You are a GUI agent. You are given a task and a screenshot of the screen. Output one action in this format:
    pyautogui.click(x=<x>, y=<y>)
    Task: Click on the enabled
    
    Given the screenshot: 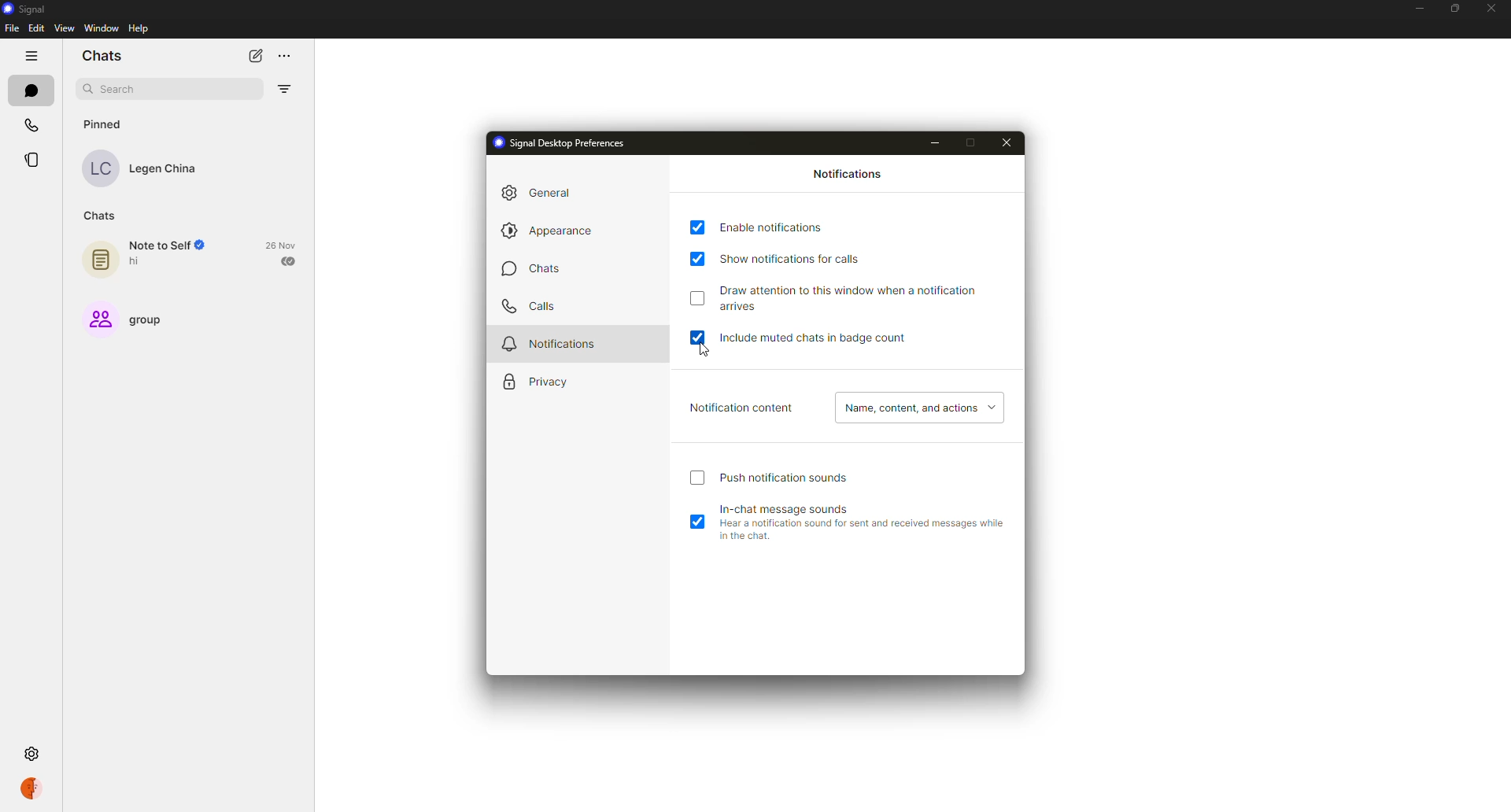 What is the action you would take?
    pyautogui.click(x=699, y=227)
    